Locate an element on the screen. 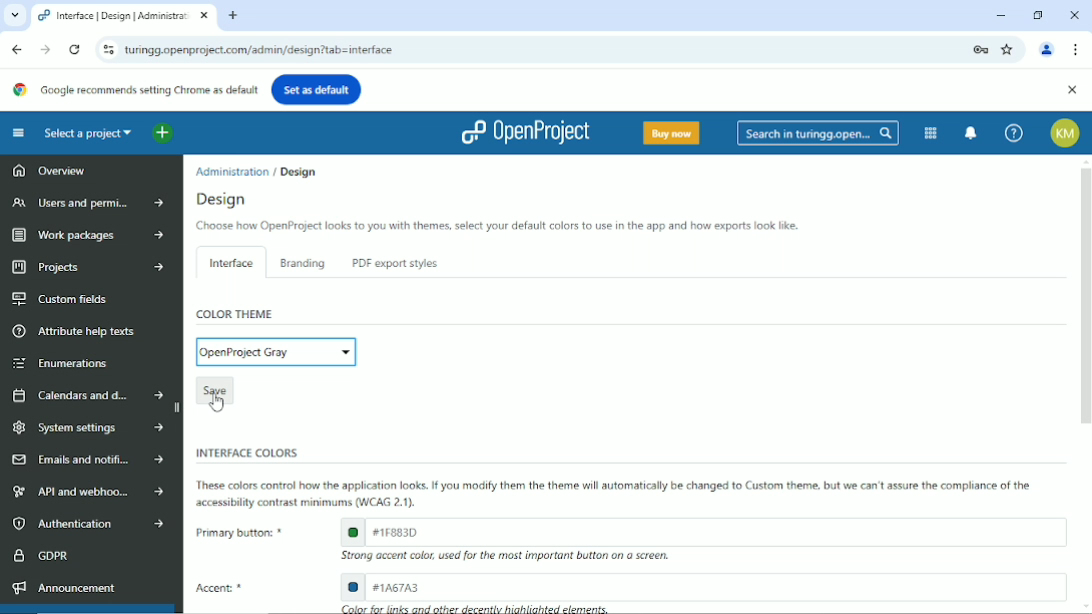 The width and height of the screenshot is (1092, 614). These colors control how the apphcation looks. If you modify them the theme will automatically be changed to Custom theme. but we can t assure the comphance of the is located at coordinates (618, 485).